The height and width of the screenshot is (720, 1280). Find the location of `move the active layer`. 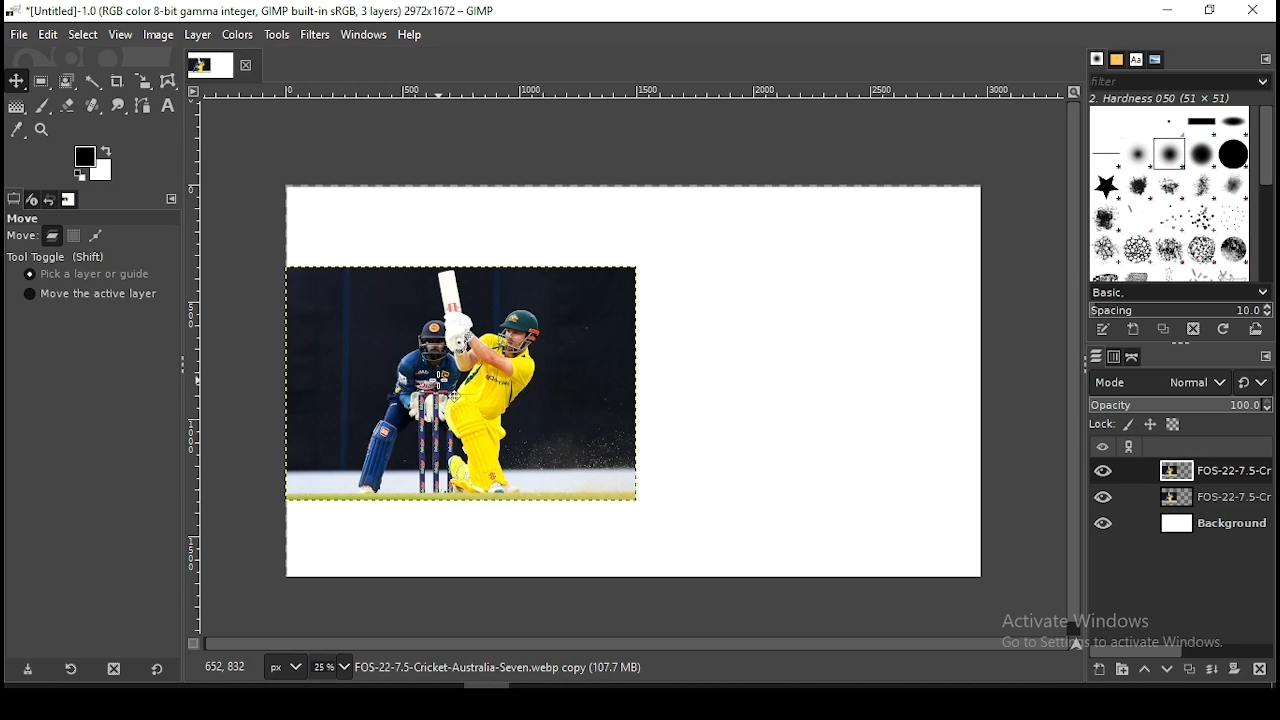

move the active layer is located at coordinates (88, 294).